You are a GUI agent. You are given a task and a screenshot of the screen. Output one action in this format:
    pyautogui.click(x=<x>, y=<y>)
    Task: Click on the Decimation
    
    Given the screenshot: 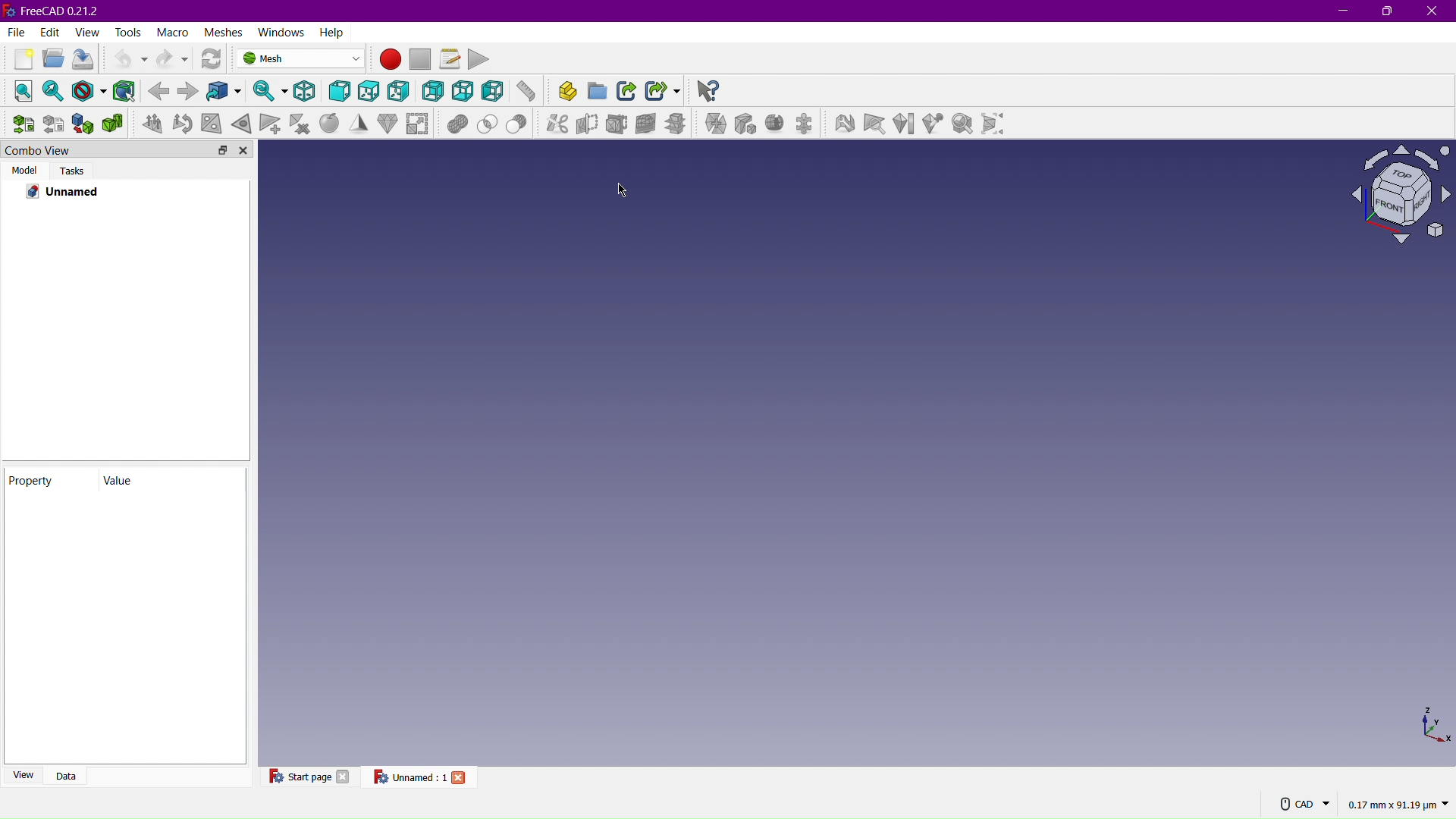 What is the action you would take?
    pyautogui.click(x=385, y=124)
    